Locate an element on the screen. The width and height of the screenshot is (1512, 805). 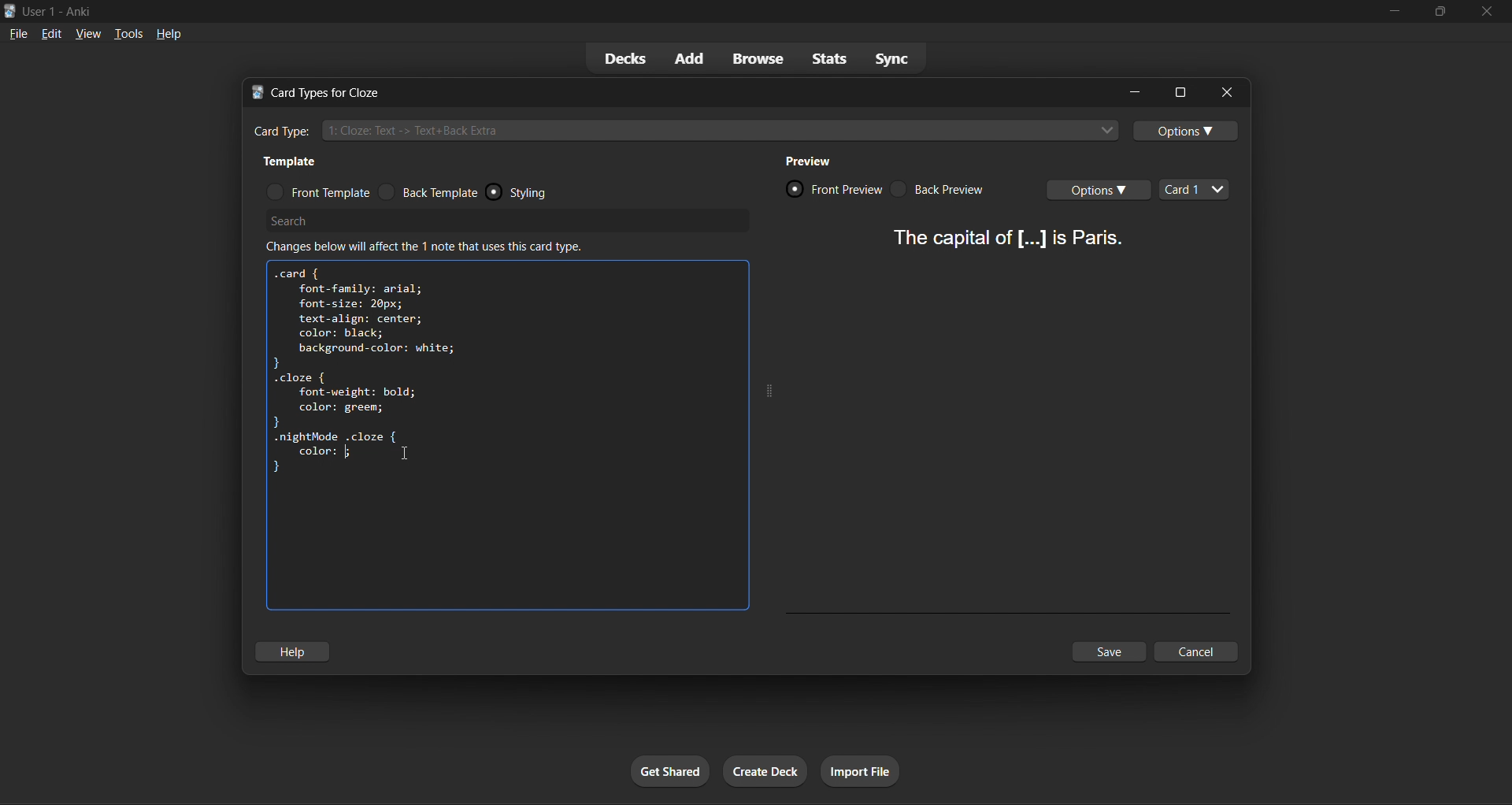
styling radio button is located at coordinates (552, 192).